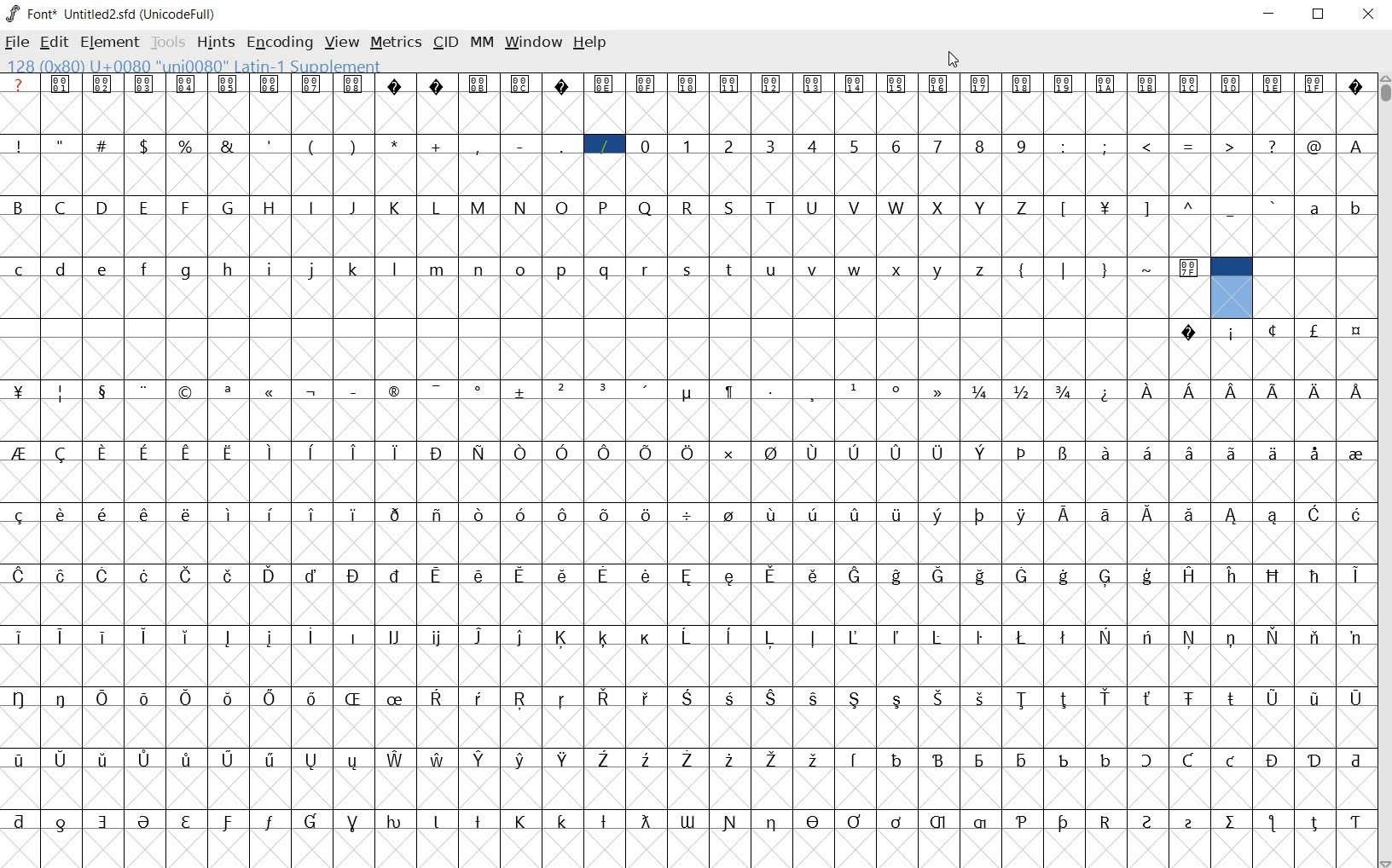  What do you see at coordinates (315, 759) in the screenshot?
I see `Symbol` at bounding box center [315, 759].